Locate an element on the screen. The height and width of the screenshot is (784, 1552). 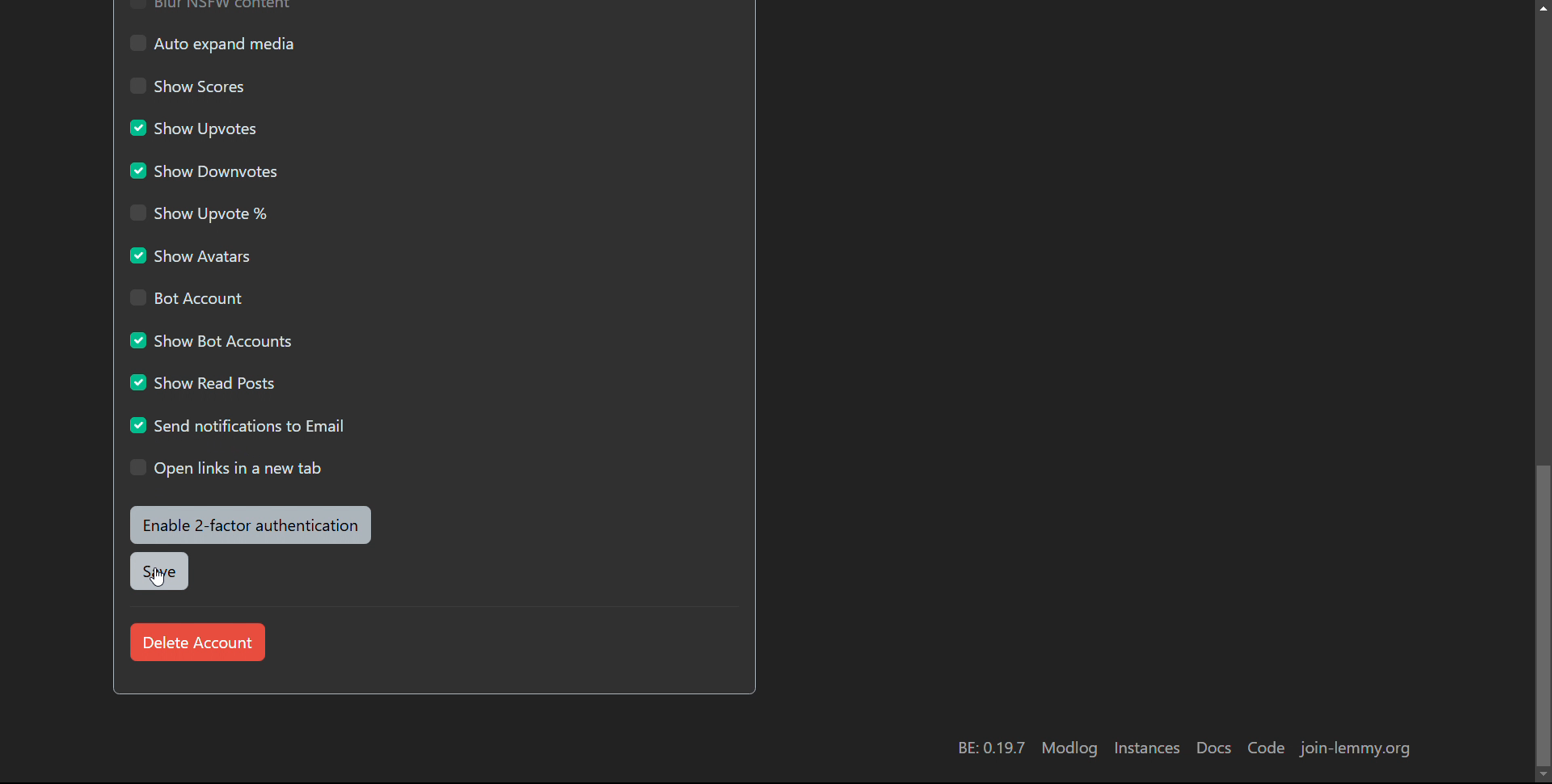
bot account is located at coordinates (183, 297).